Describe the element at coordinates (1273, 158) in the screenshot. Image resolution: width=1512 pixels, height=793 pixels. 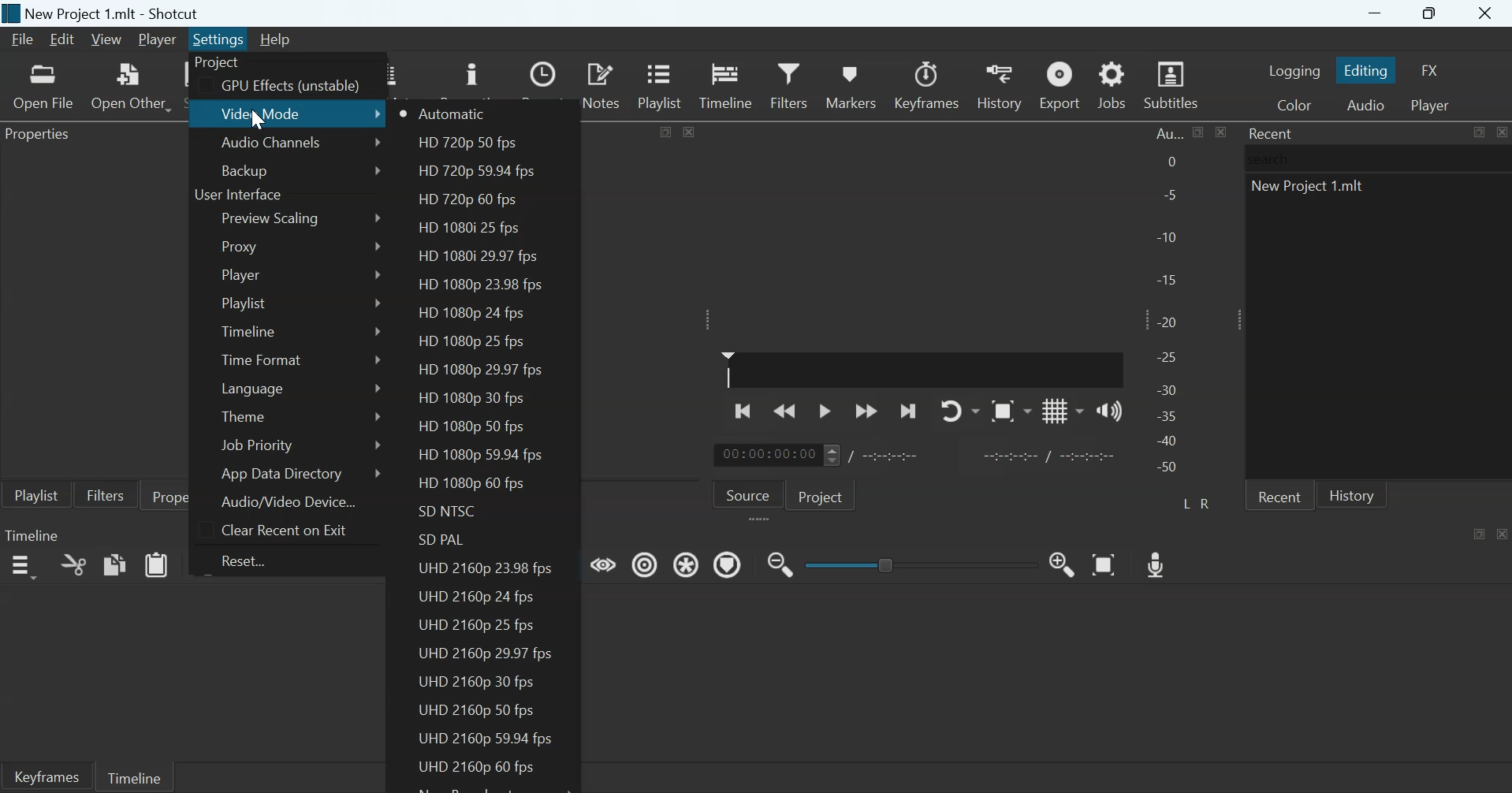
I see `search` at that location.